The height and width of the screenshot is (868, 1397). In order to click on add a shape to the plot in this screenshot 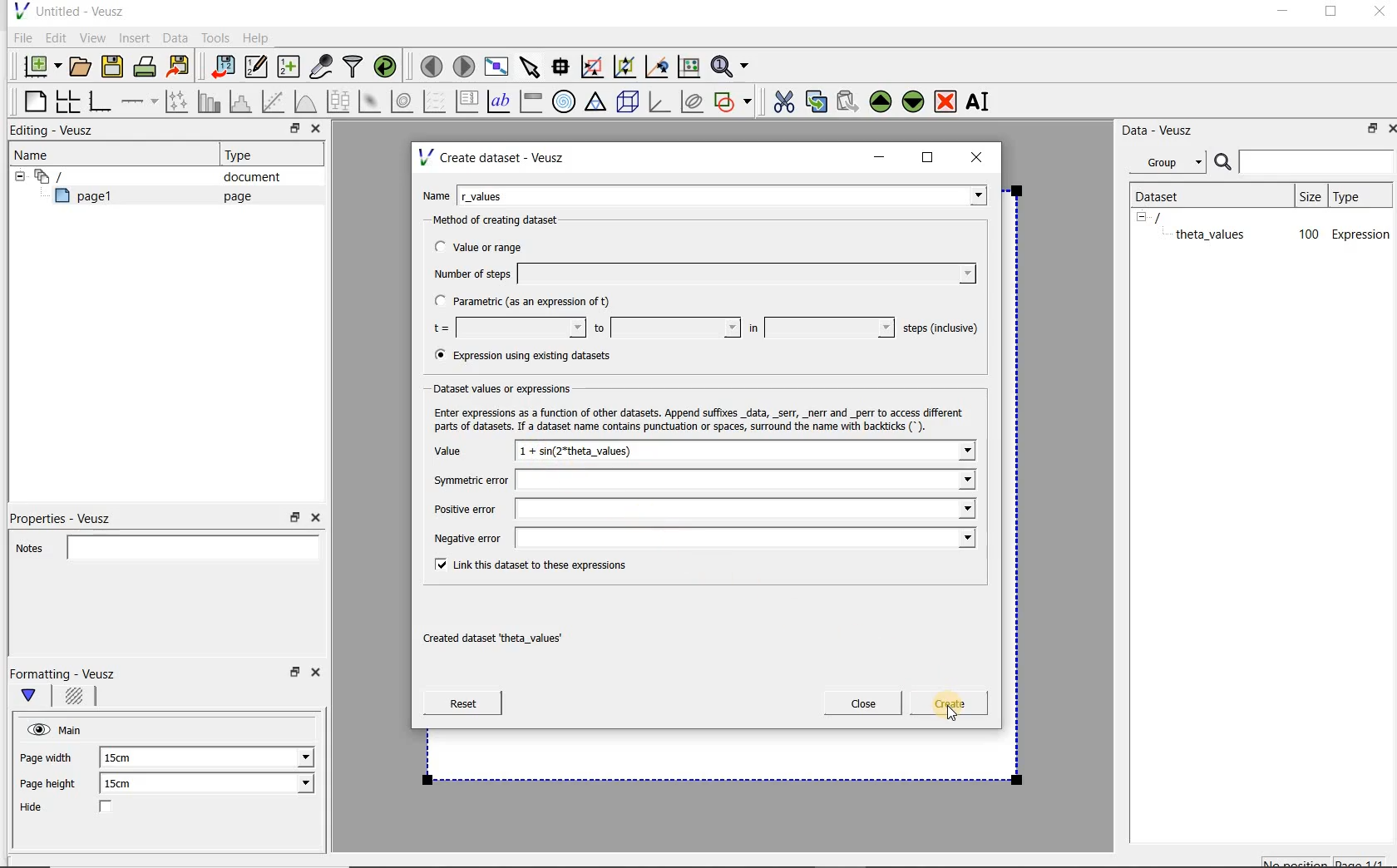, I will do `click(734, 100)`.